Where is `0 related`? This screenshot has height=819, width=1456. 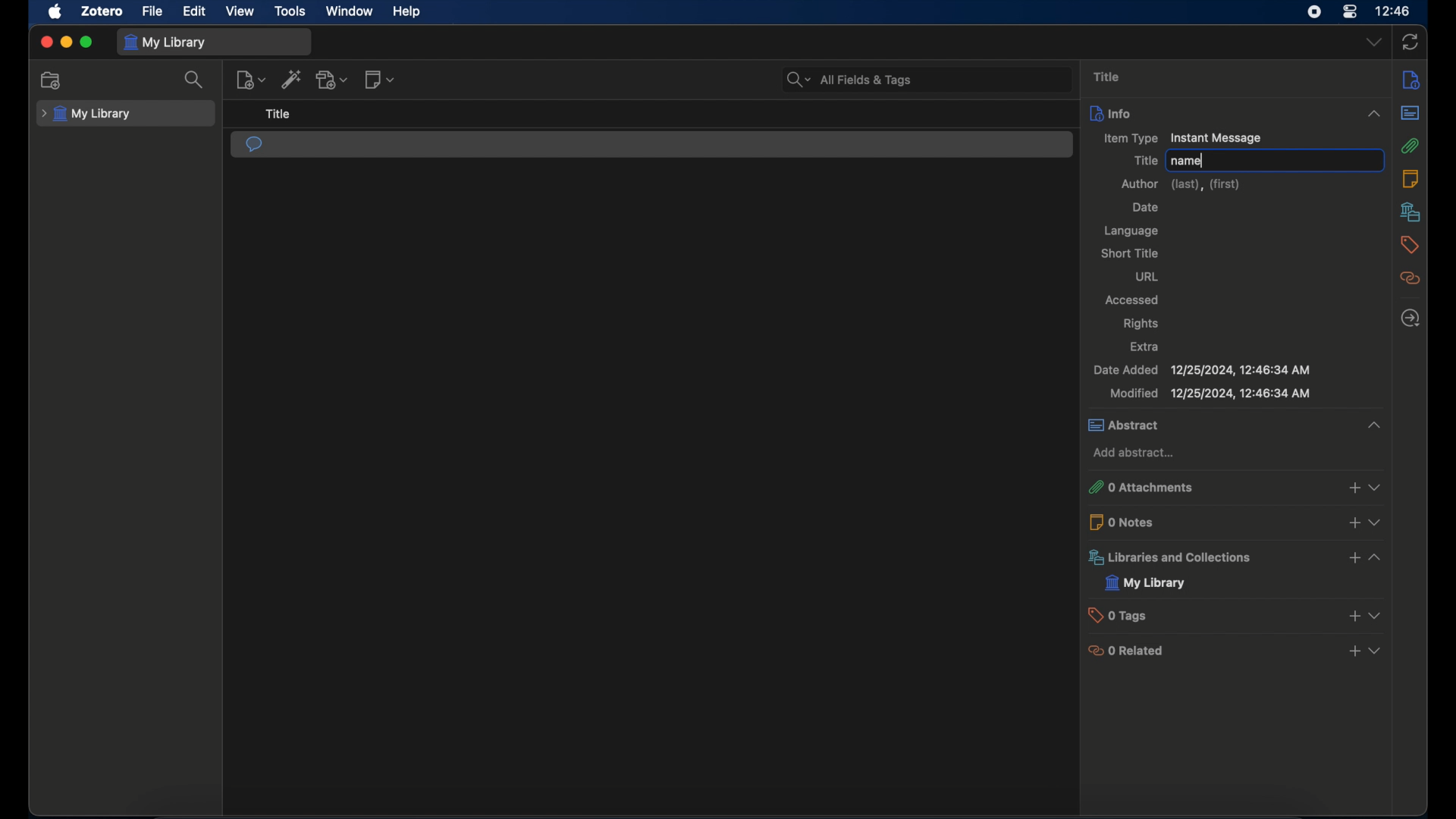
0 related is located at coordinates (1234, 651).